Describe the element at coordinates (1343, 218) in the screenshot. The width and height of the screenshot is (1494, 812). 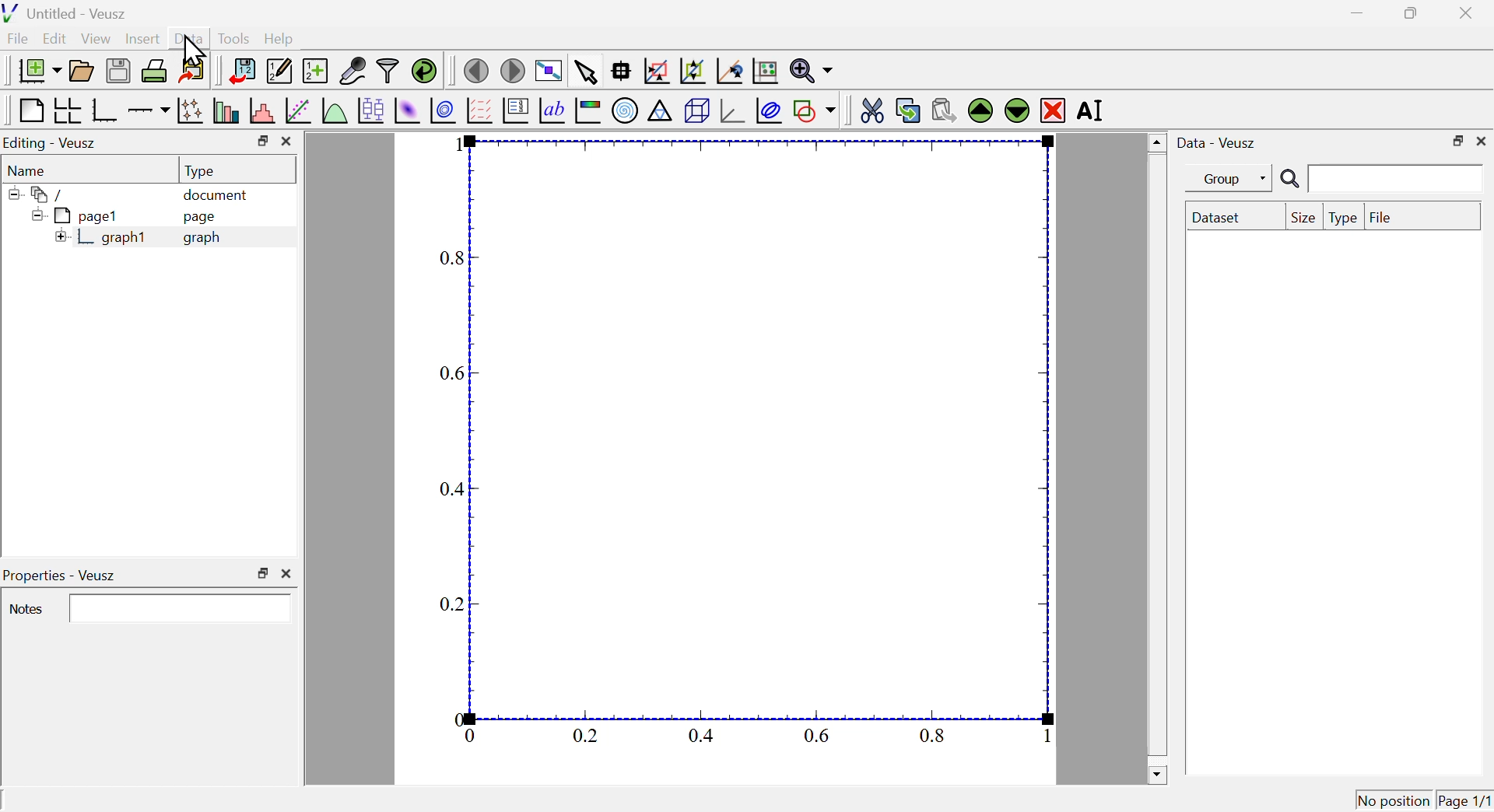
I see `type` at that location.